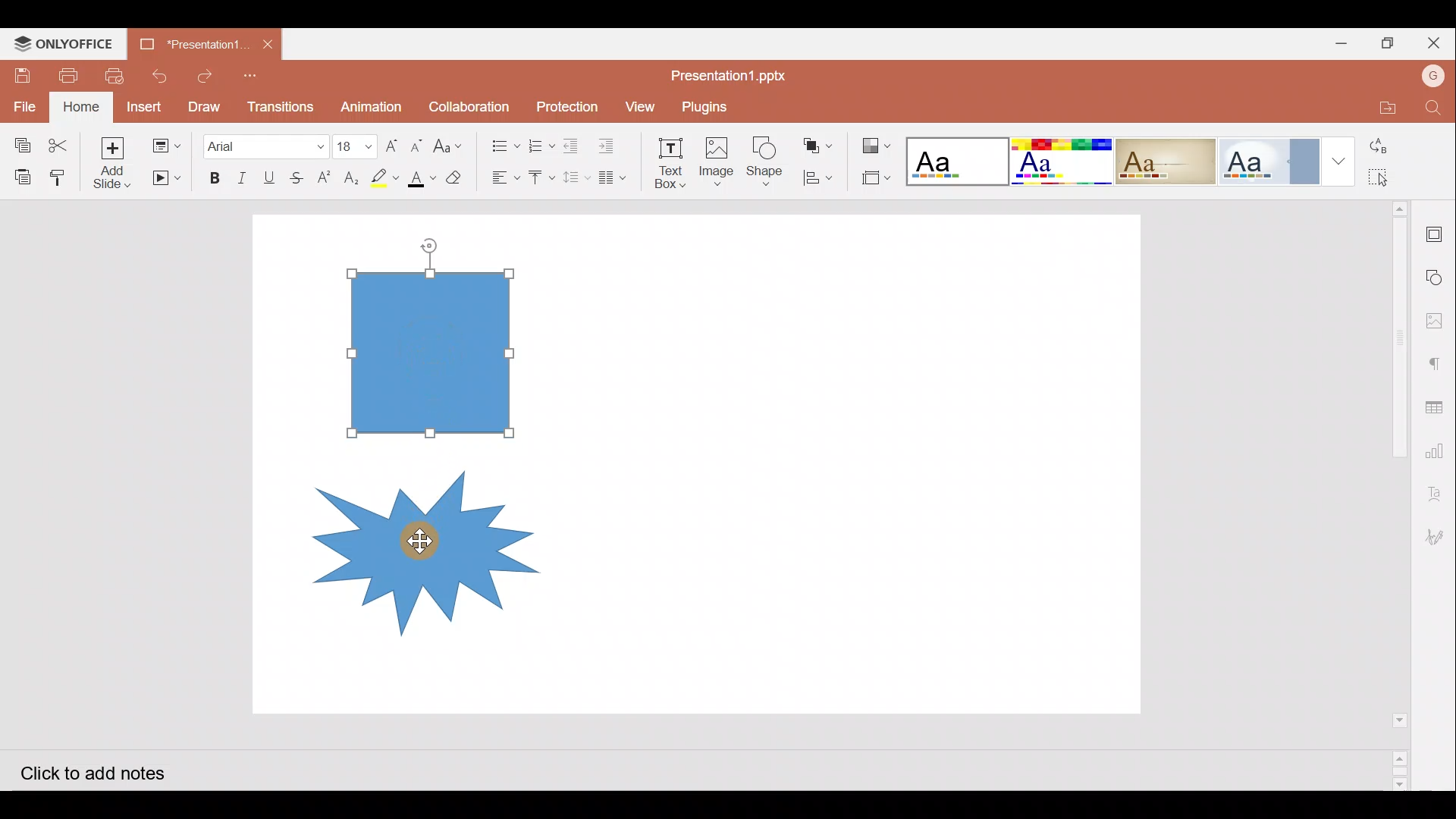 This screenshot has width=1456, height=819. I want to click on Insert columns, so click(616, 177).